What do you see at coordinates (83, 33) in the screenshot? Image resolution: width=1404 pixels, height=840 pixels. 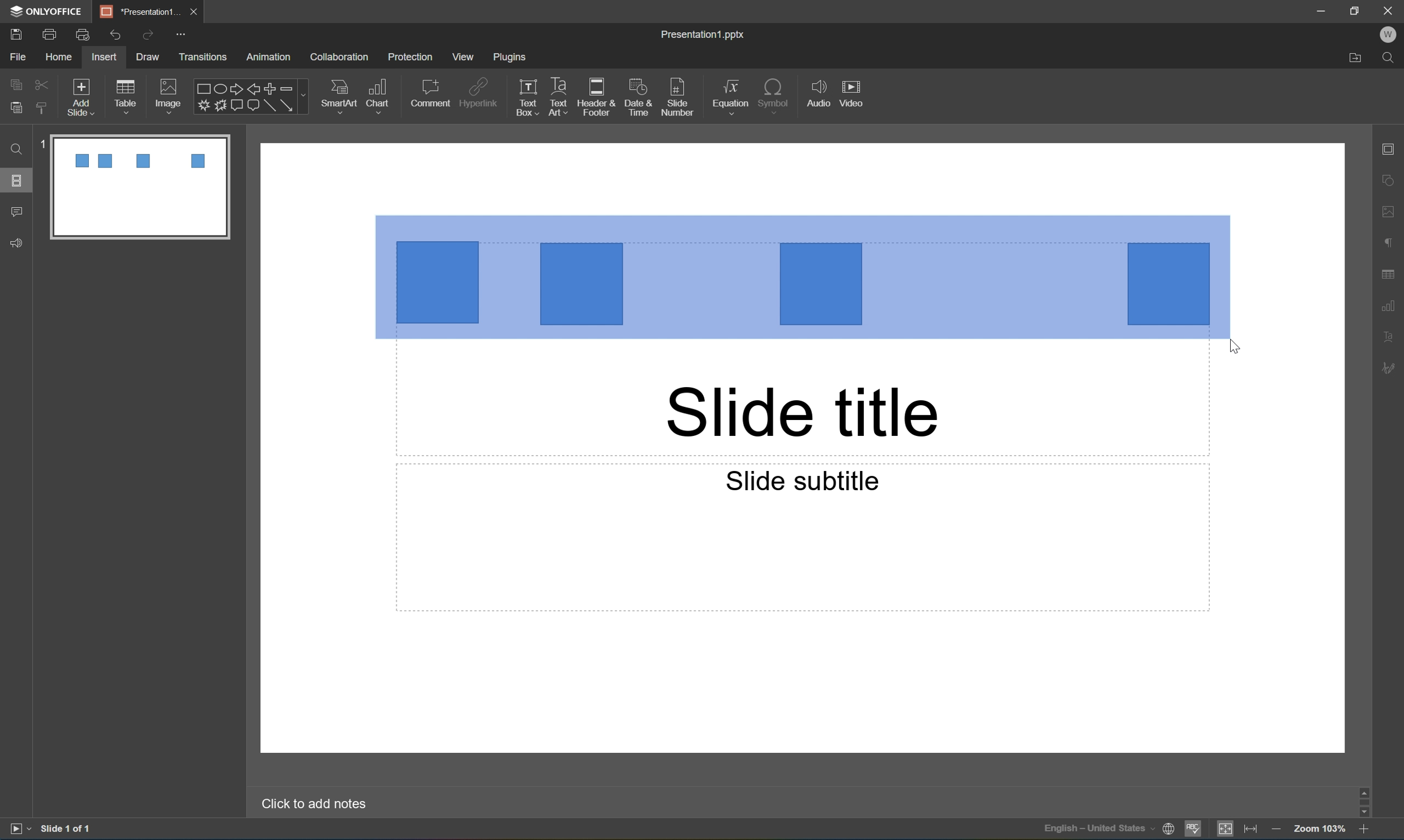 I see `quick print` at bounding box center [83, 33].